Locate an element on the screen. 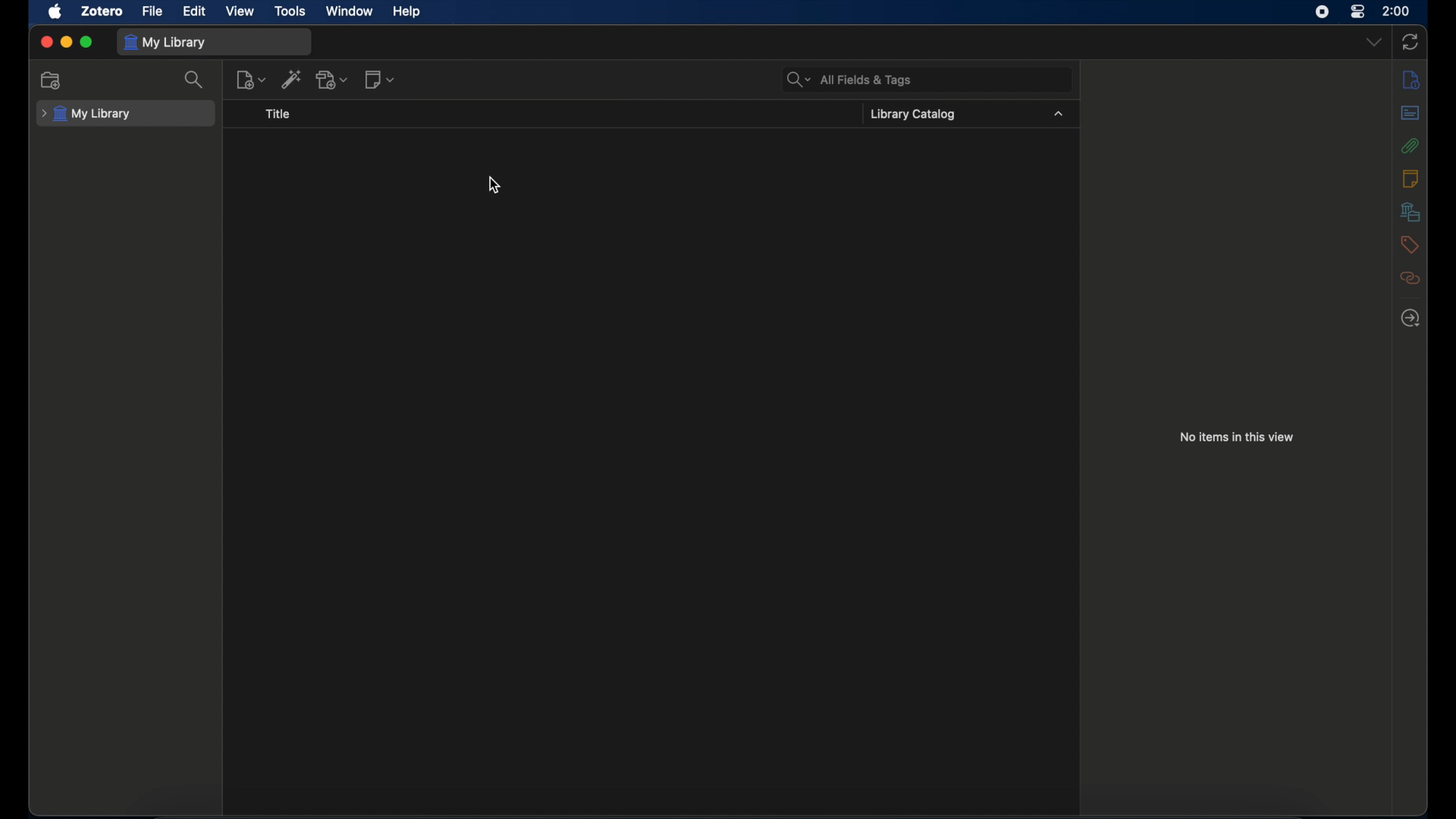 This screenshot has height=819, width=1456. control center is located at coordinates (1359, 11).